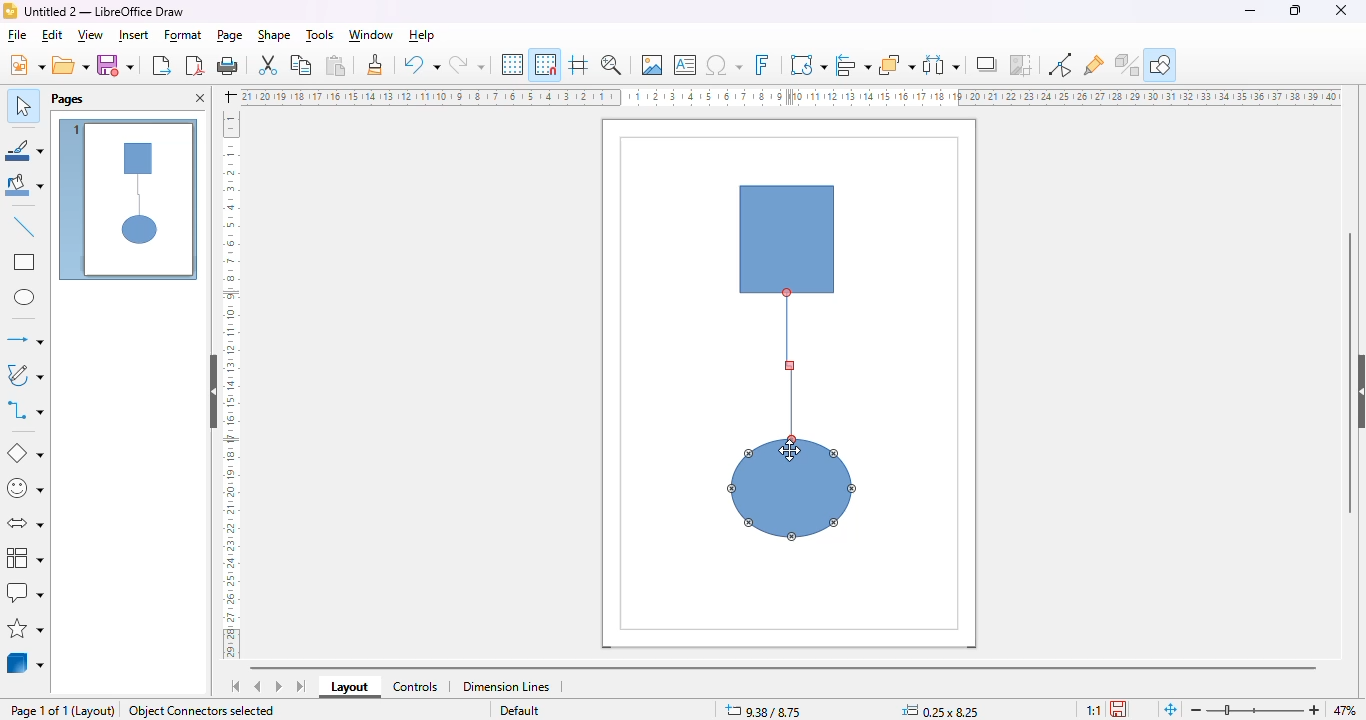 Image resolution: width=1366 pixels, height=720 pixels. What do you see at coordinates (133, 35) in the screenshot?
I see `insert` at bounding box center [133, 35].